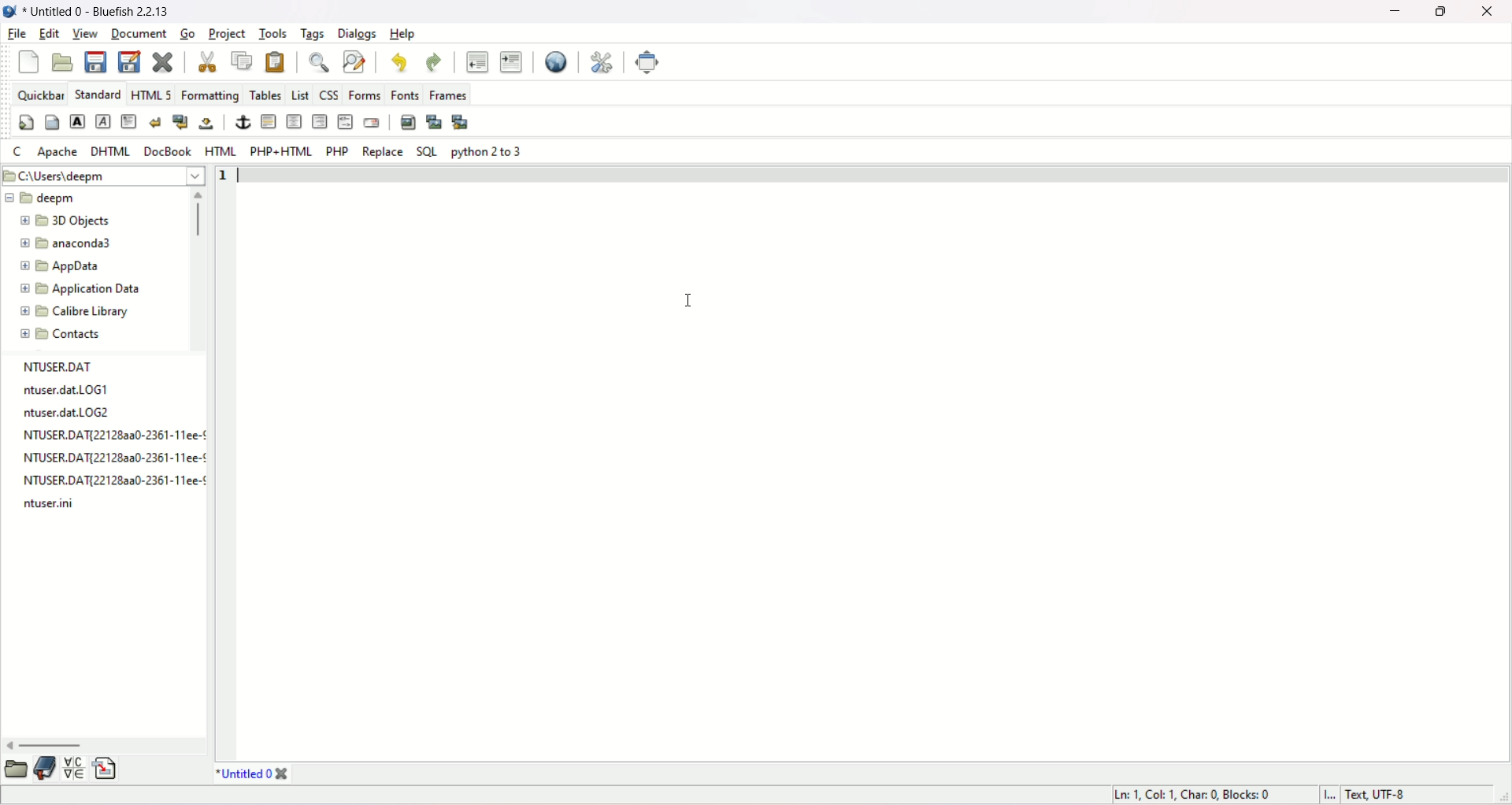 This screenshot has width=1512, height=805. What do you see at coordinates (76, 312) in the screenshot?
I see `folder name` at bounding box center [76, 312].